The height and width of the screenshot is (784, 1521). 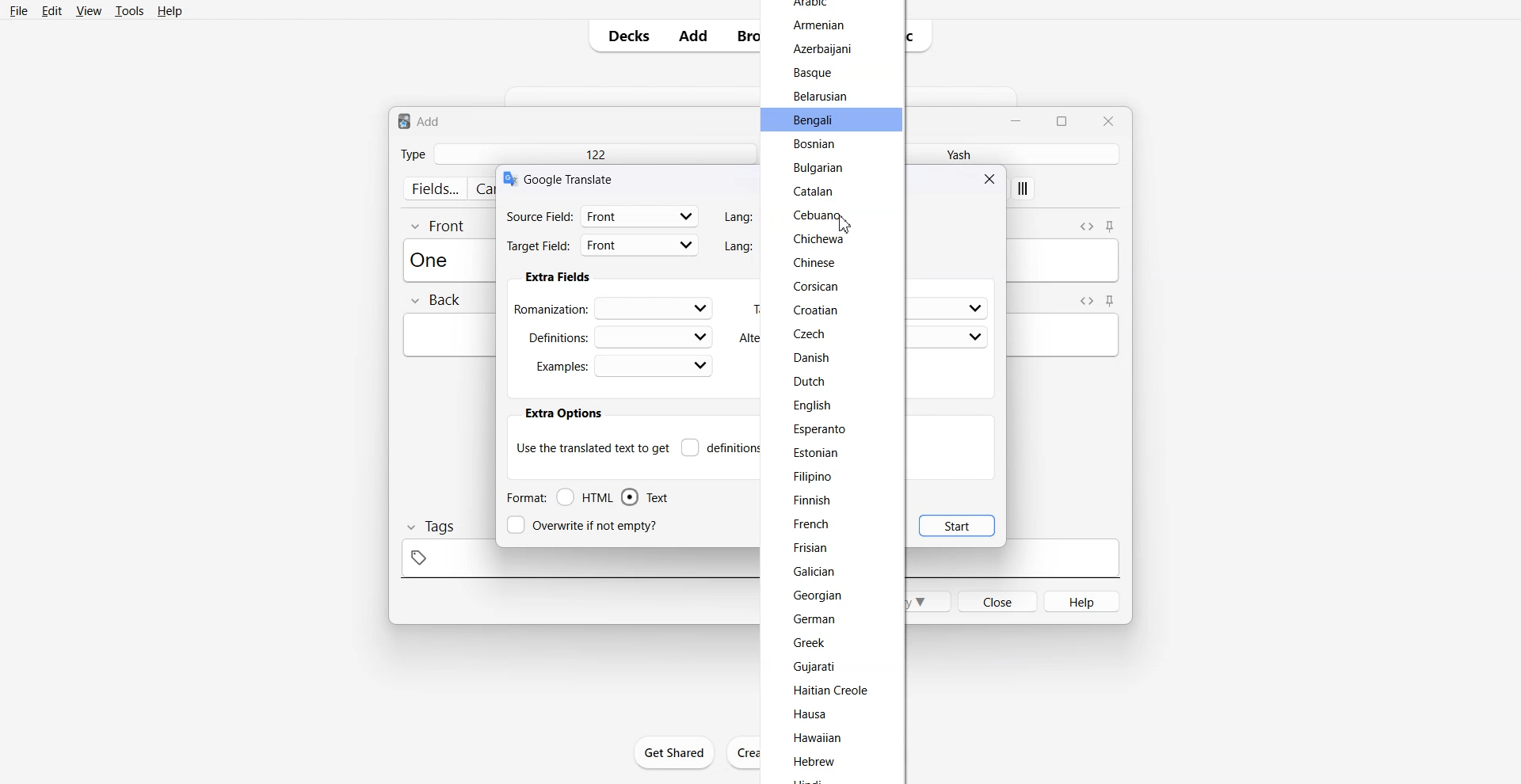 I want to click on Overwrite if not empty, so click(x=585, y=525).